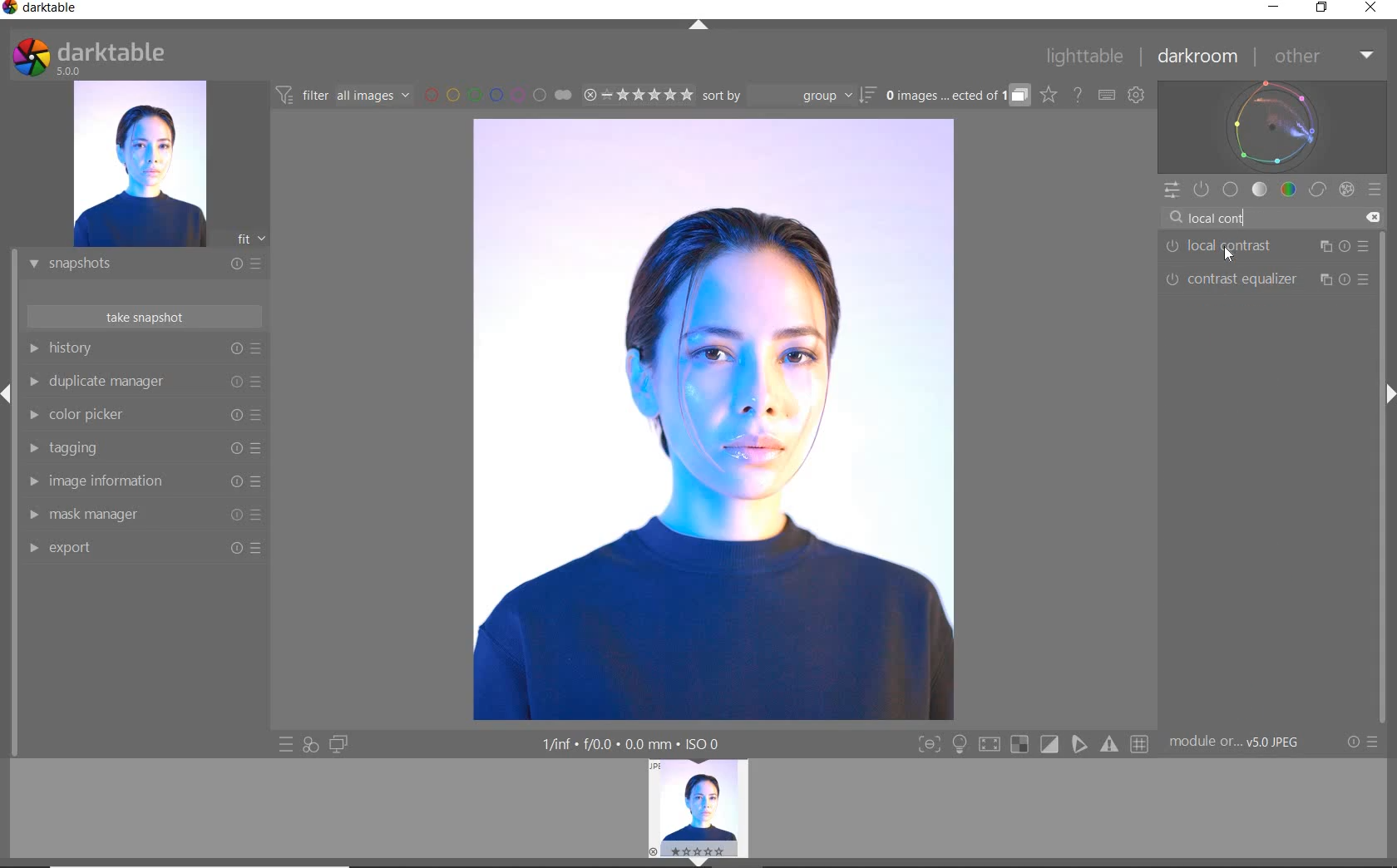 Image resolution: width=1397 pixels, height=868 pixels. Describe the element at coordinates (1227, 216) in the screenshot. I see `INPUT VALUE` at that location.